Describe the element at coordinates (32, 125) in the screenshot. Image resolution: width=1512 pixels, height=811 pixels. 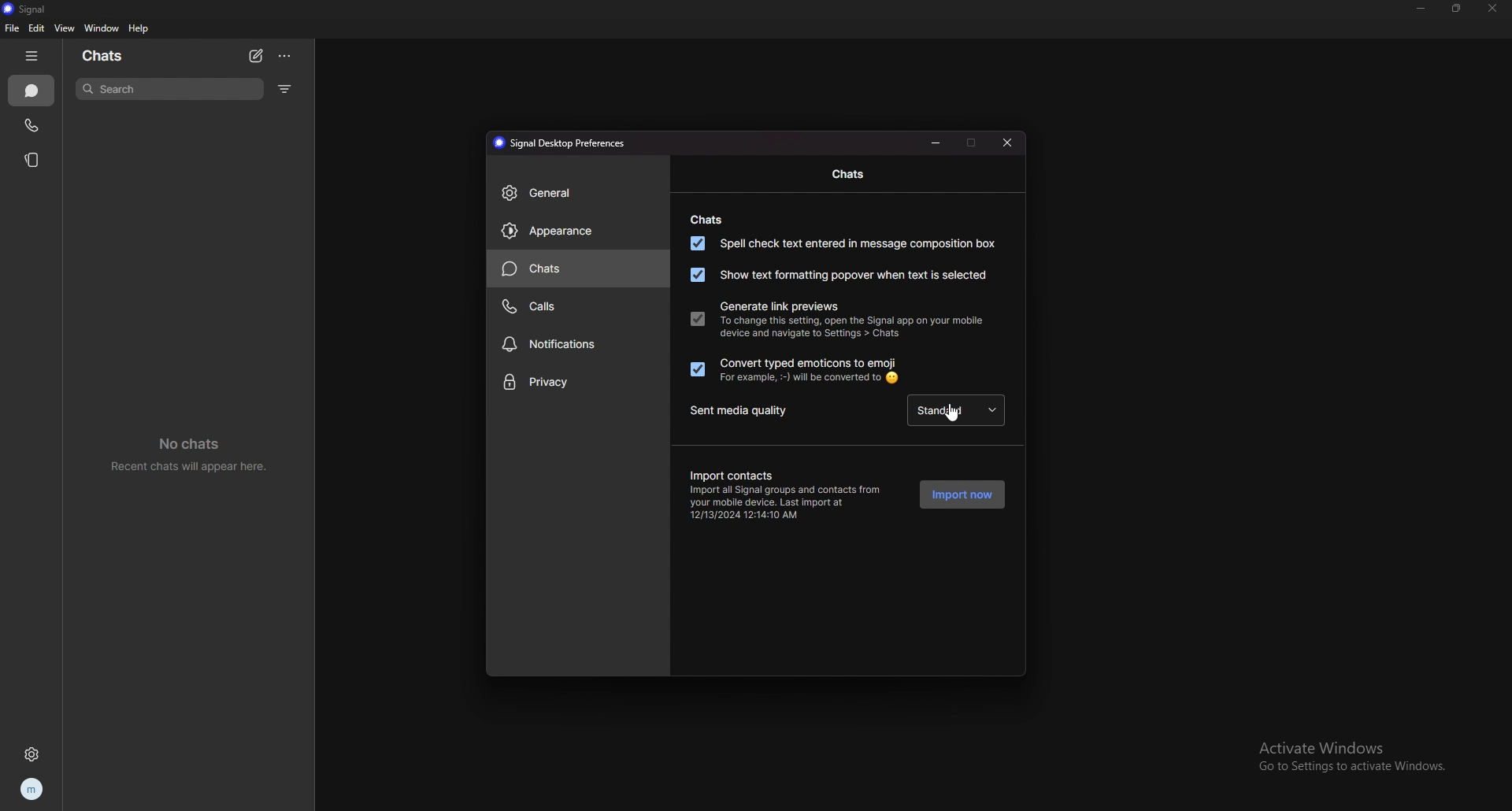
I see `calls` at that location.